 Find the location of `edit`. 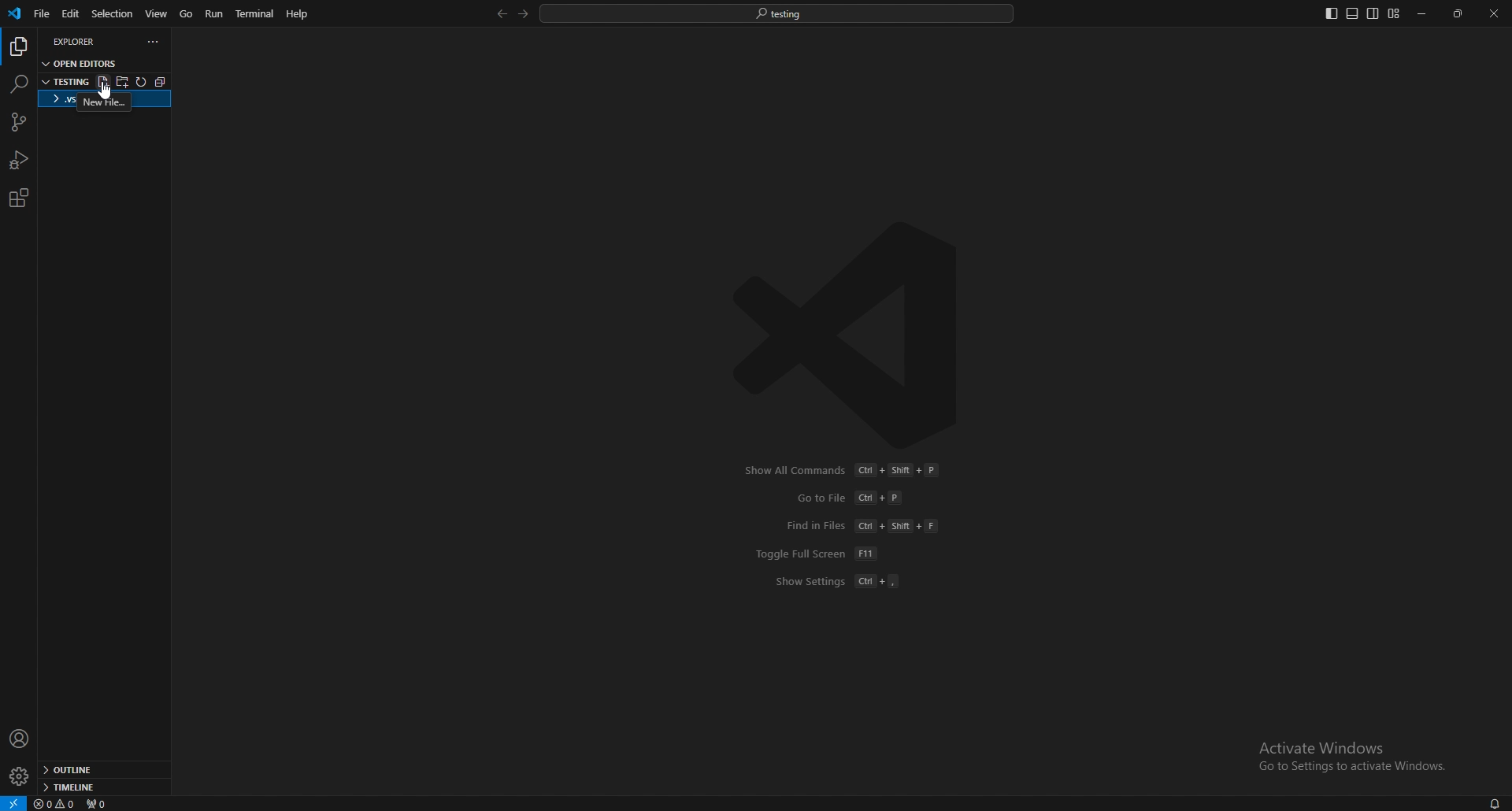

edit is located at coordinates (69, 14).